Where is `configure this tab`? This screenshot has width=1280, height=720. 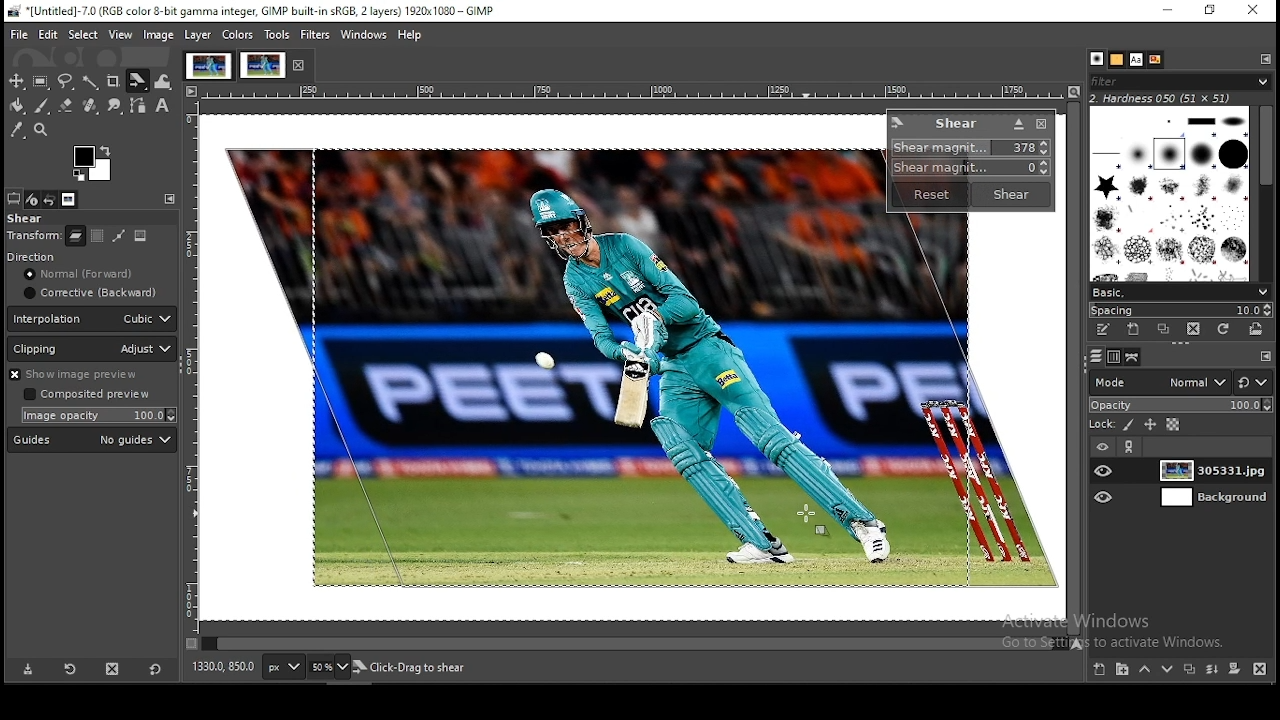 configure this tab is located at coordinates (169, 199).